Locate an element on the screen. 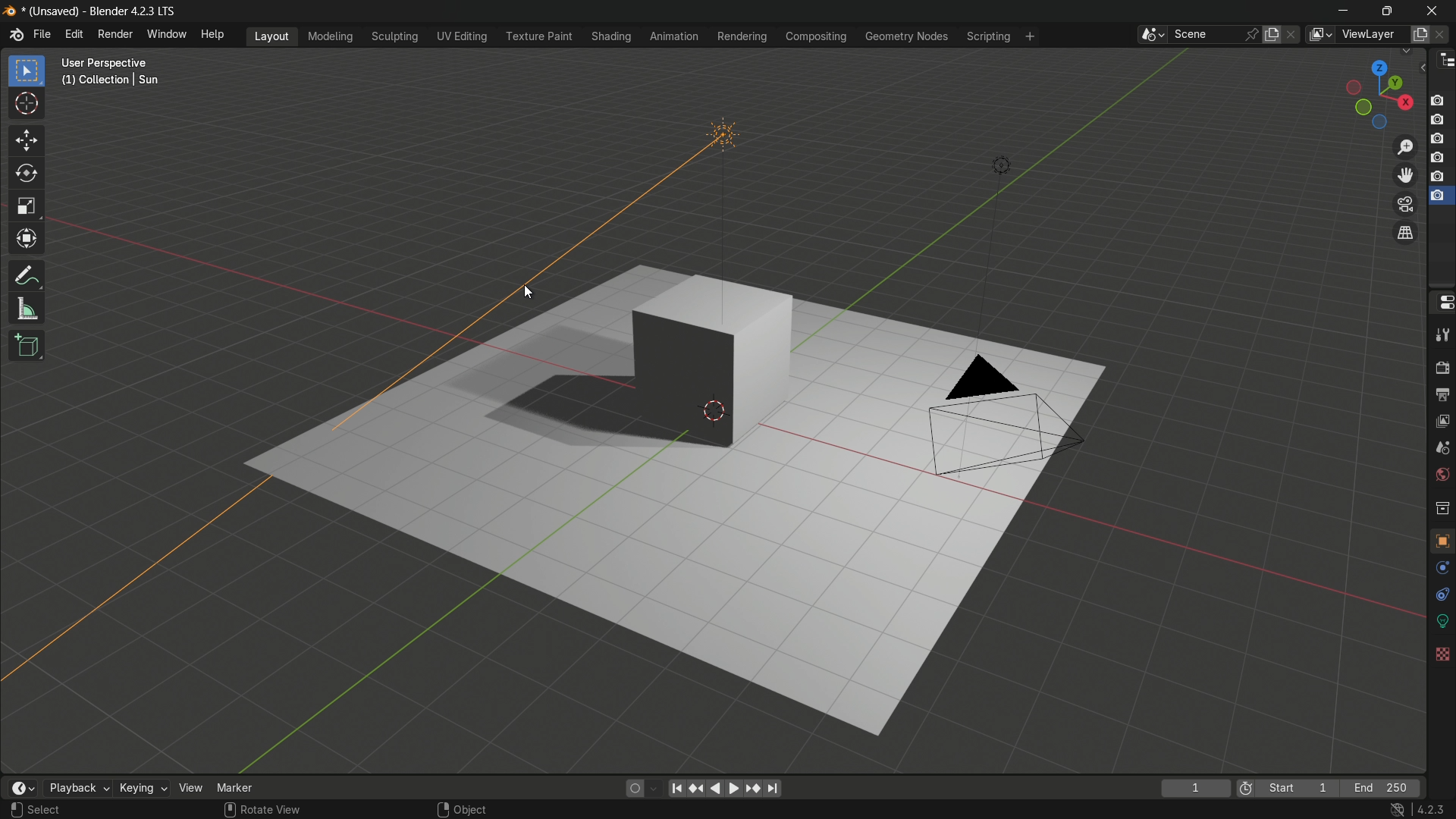 This screenshot has height=819, width=1456. properties is located at coordinates (1442, 306).